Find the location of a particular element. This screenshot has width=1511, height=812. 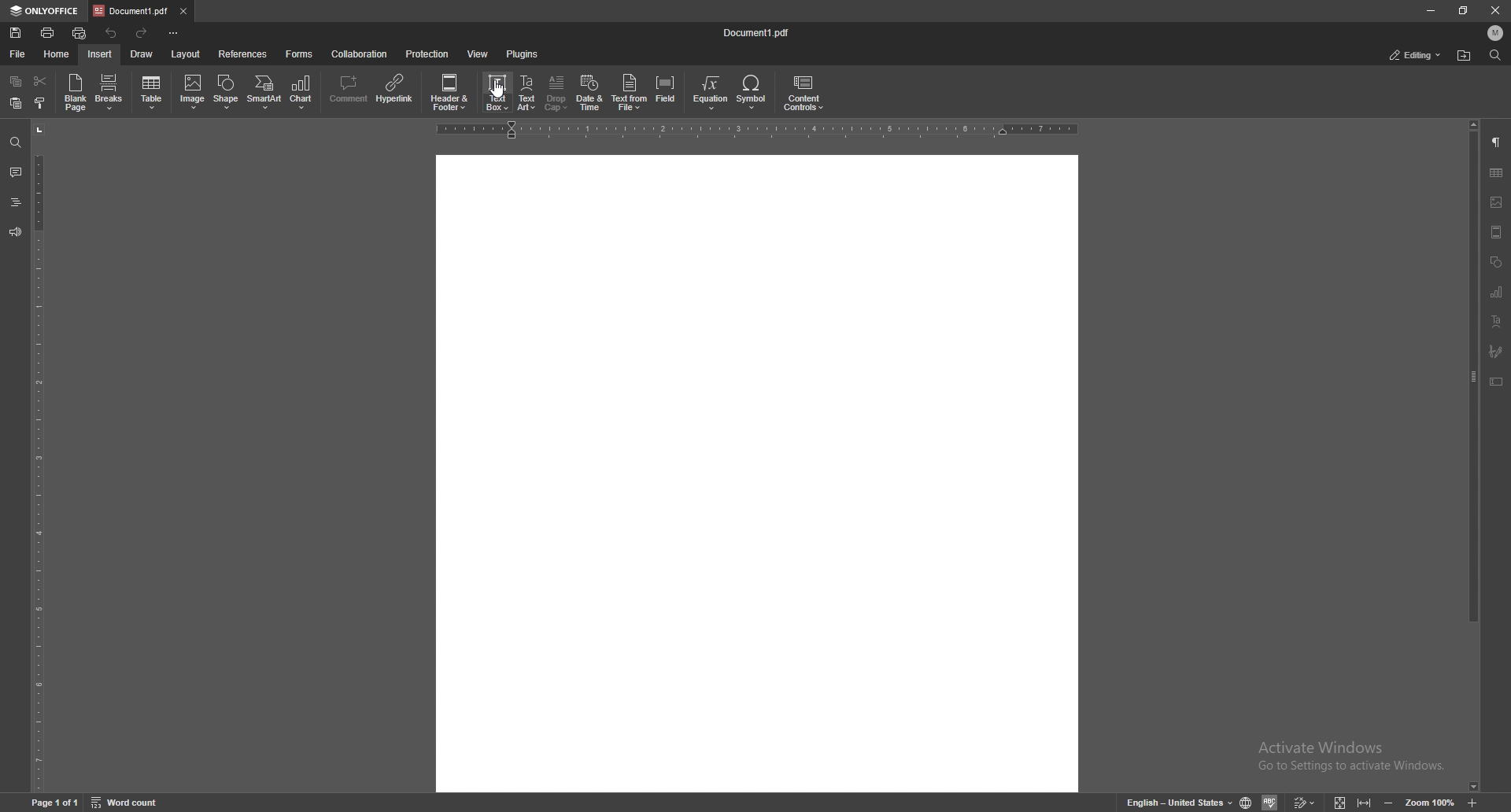

paste is located at coordinates (17, 104).